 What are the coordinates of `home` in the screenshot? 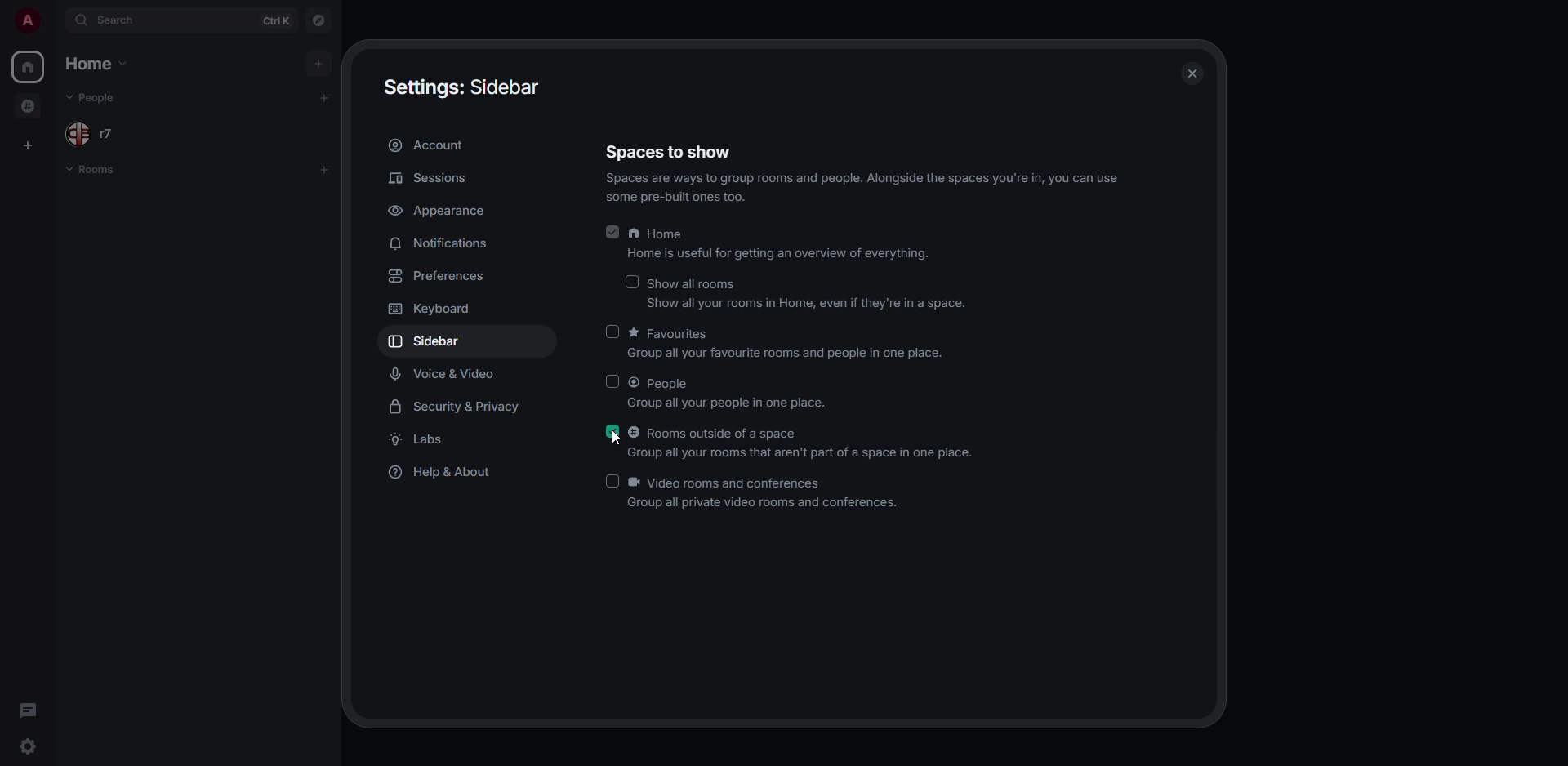 It's located at (781, 244).